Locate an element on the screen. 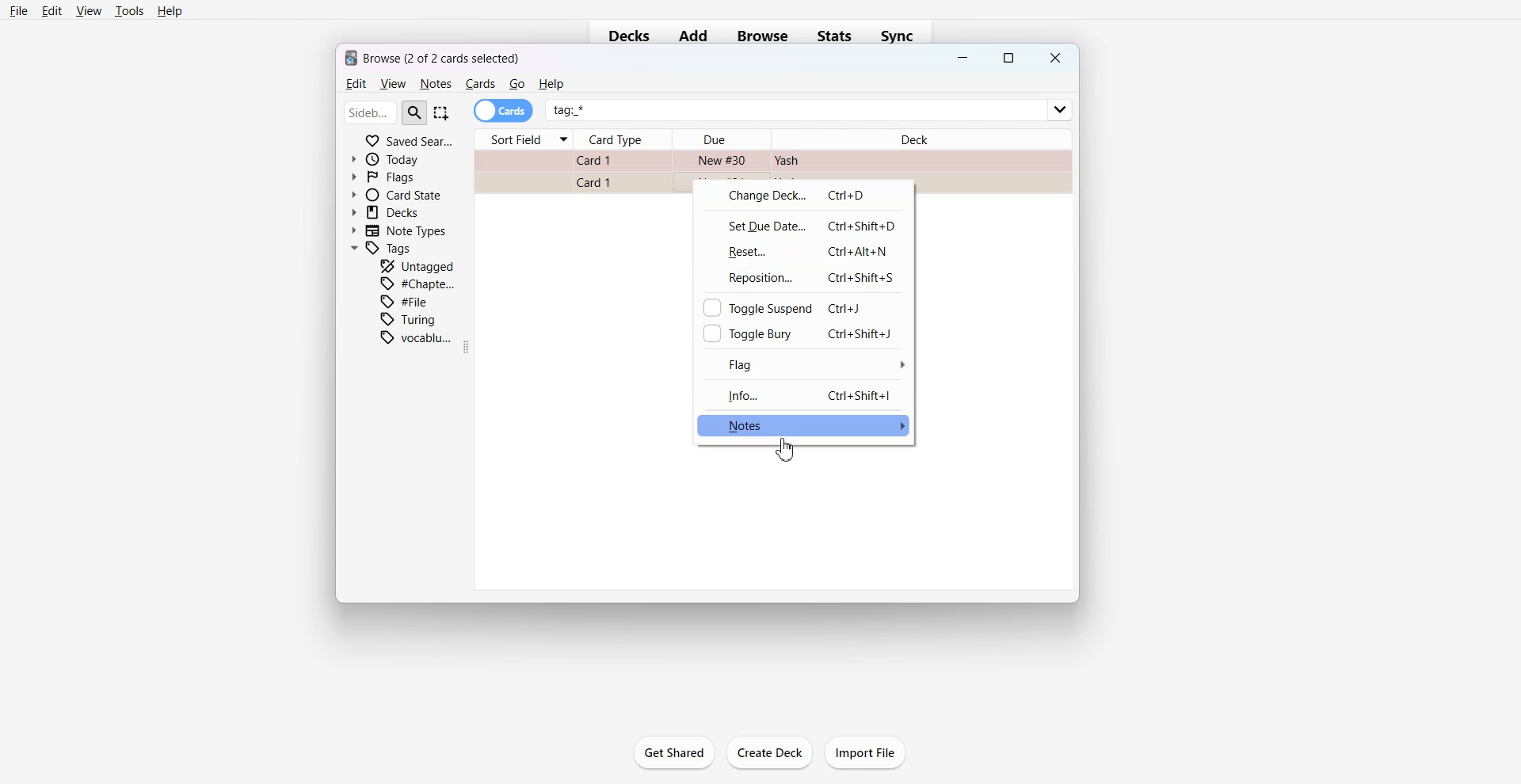 The height and width of the screenshot is (784, 1521). Notes is located at coordinates (804, 425).